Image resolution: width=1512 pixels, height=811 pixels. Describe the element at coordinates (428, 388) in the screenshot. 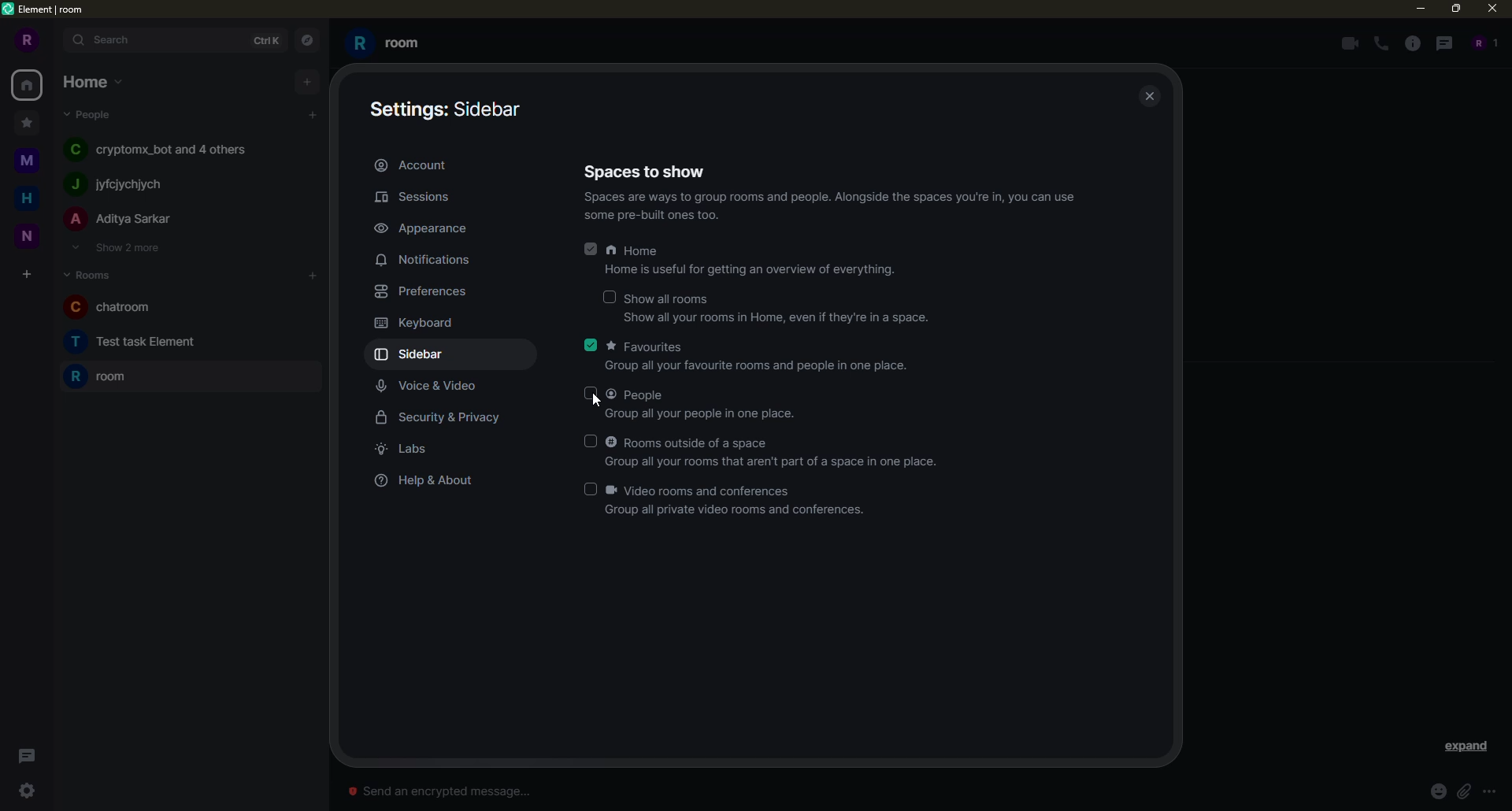

I see `voice & video` at that location.